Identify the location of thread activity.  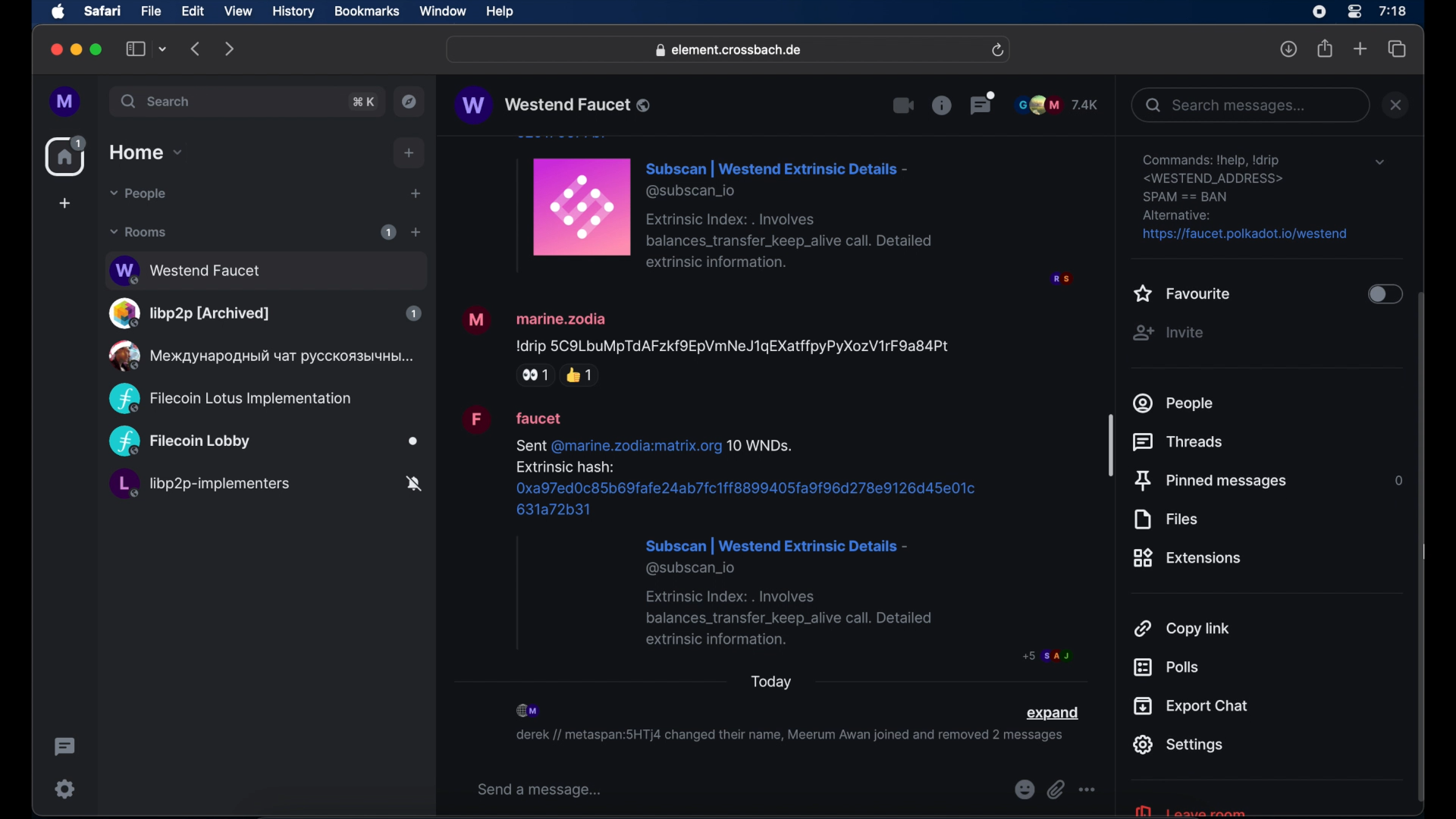
(66, 747).